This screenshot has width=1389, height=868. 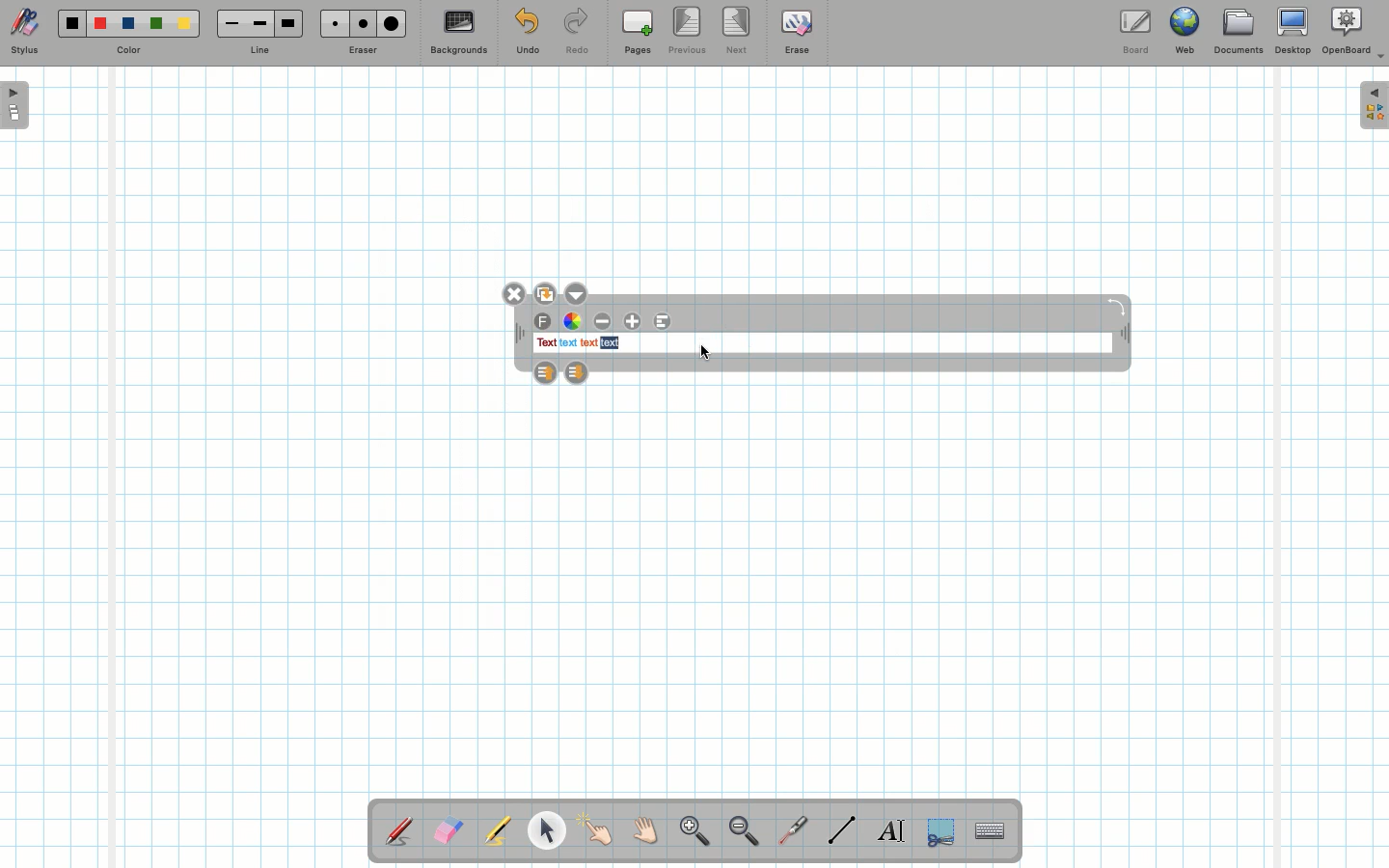 What do you see at coordinates (567, 343) in the screenshot?
I see `text` at bounding box center [567, 343].